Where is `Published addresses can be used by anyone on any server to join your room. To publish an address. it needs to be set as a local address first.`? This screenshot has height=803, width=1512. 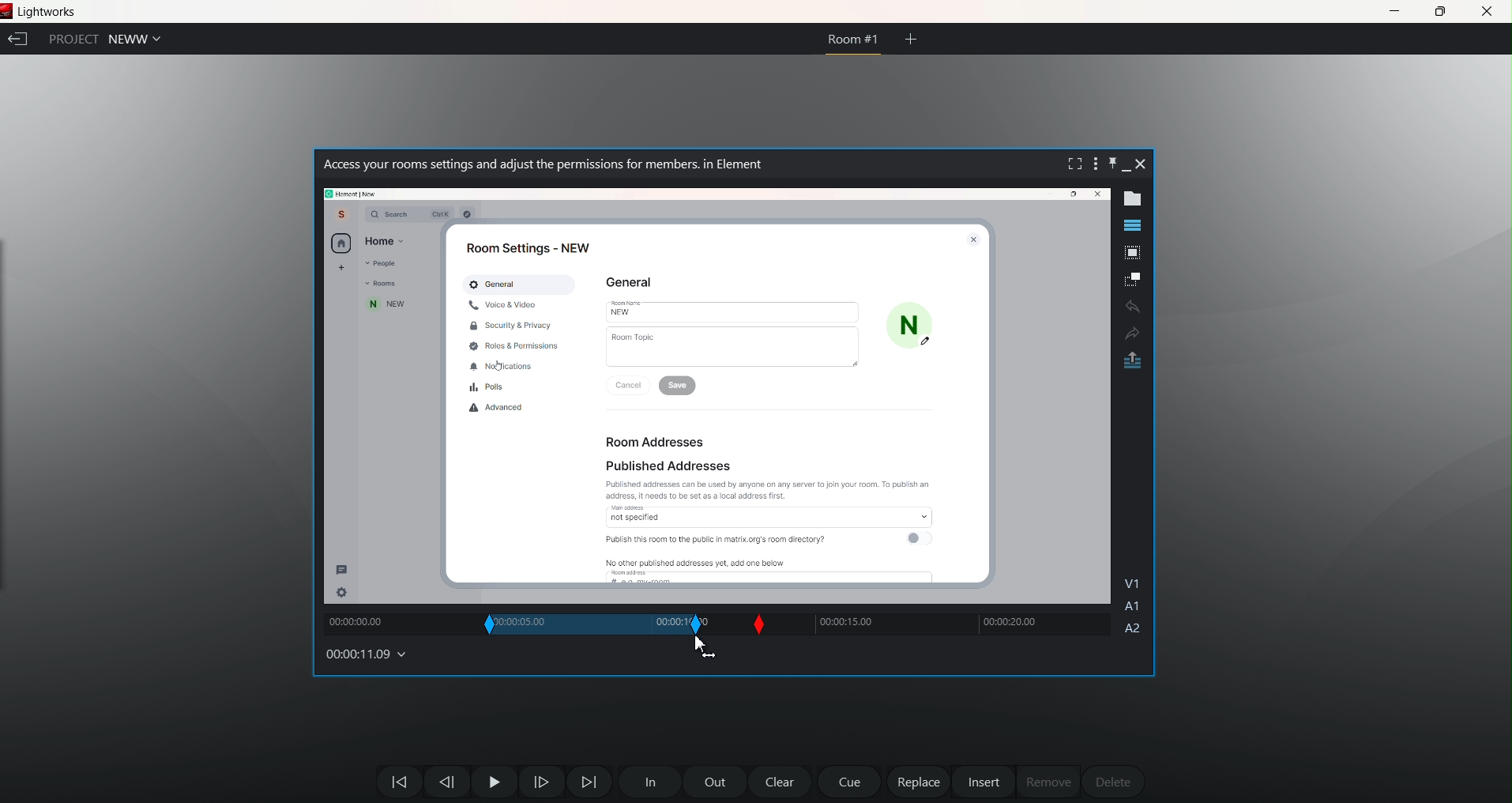
Published addresses can be used by anyone on any server to join your room. To publish an address. it needs to be set as a local address first. is located at coordinates (769, 489).